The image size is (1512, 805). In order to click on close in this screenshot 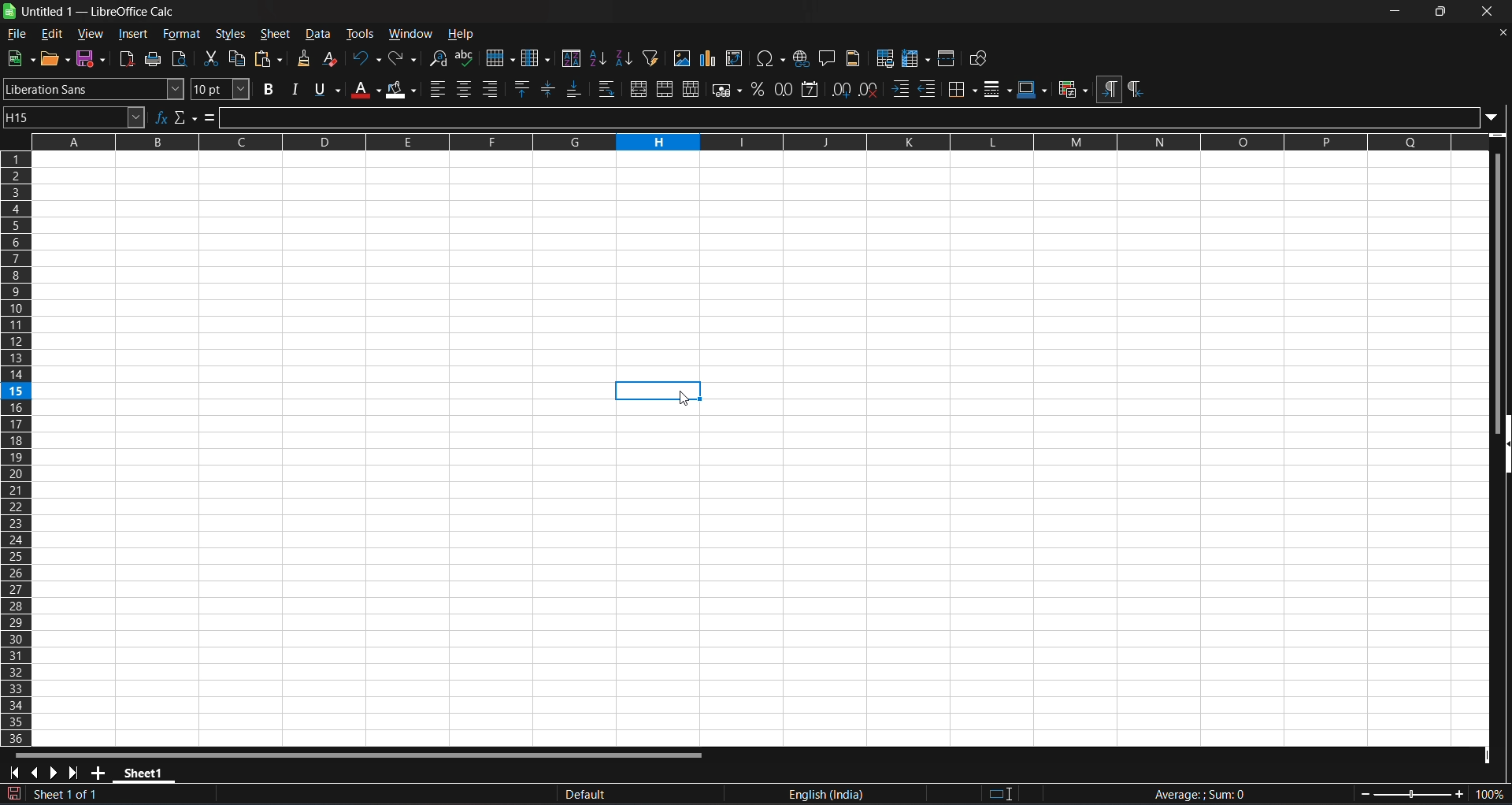, I will do `click(1488, 13)`.